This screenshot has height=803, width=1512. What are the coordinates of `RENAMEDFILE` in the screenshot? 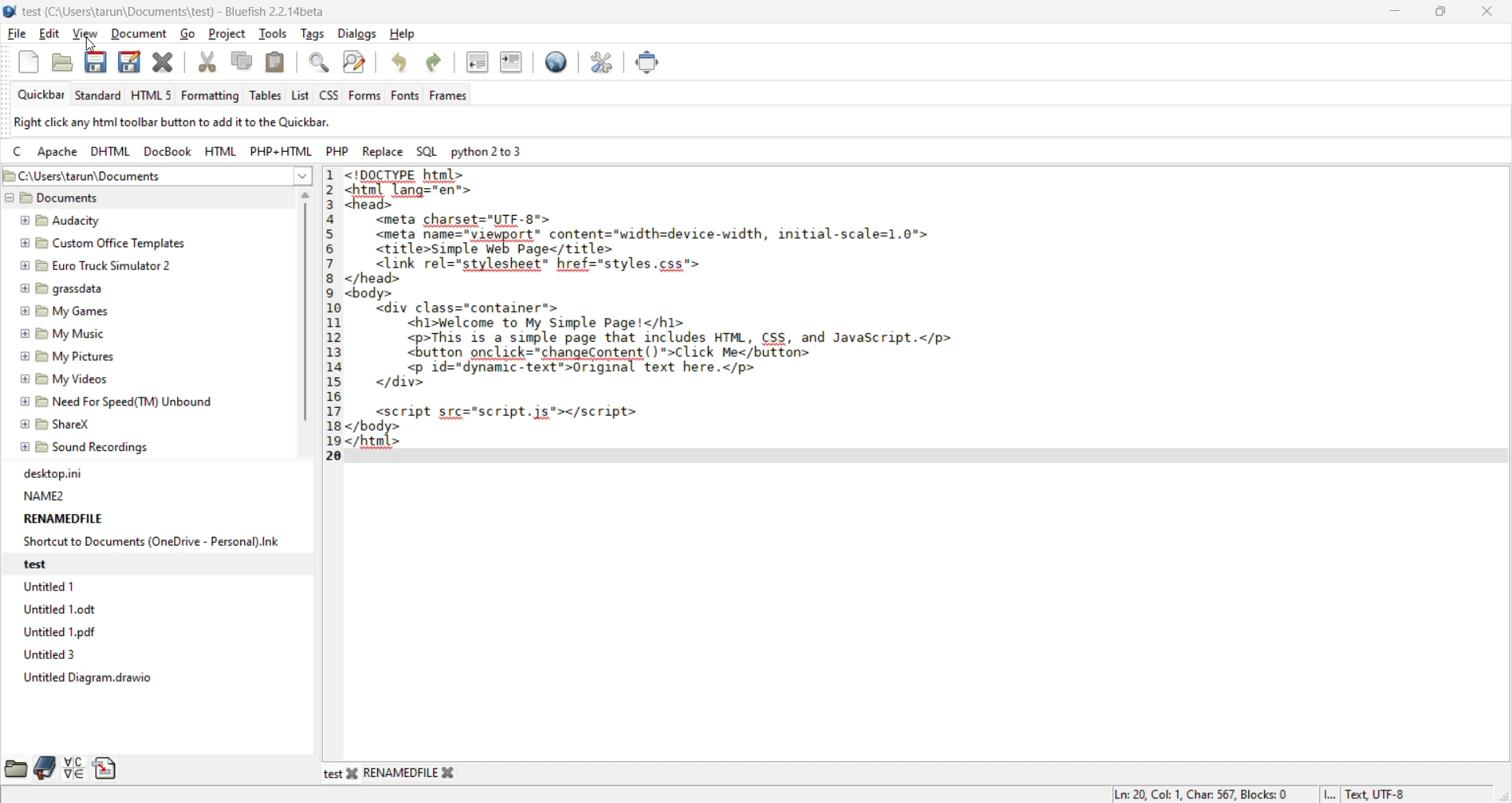 It's located at (62, 518).